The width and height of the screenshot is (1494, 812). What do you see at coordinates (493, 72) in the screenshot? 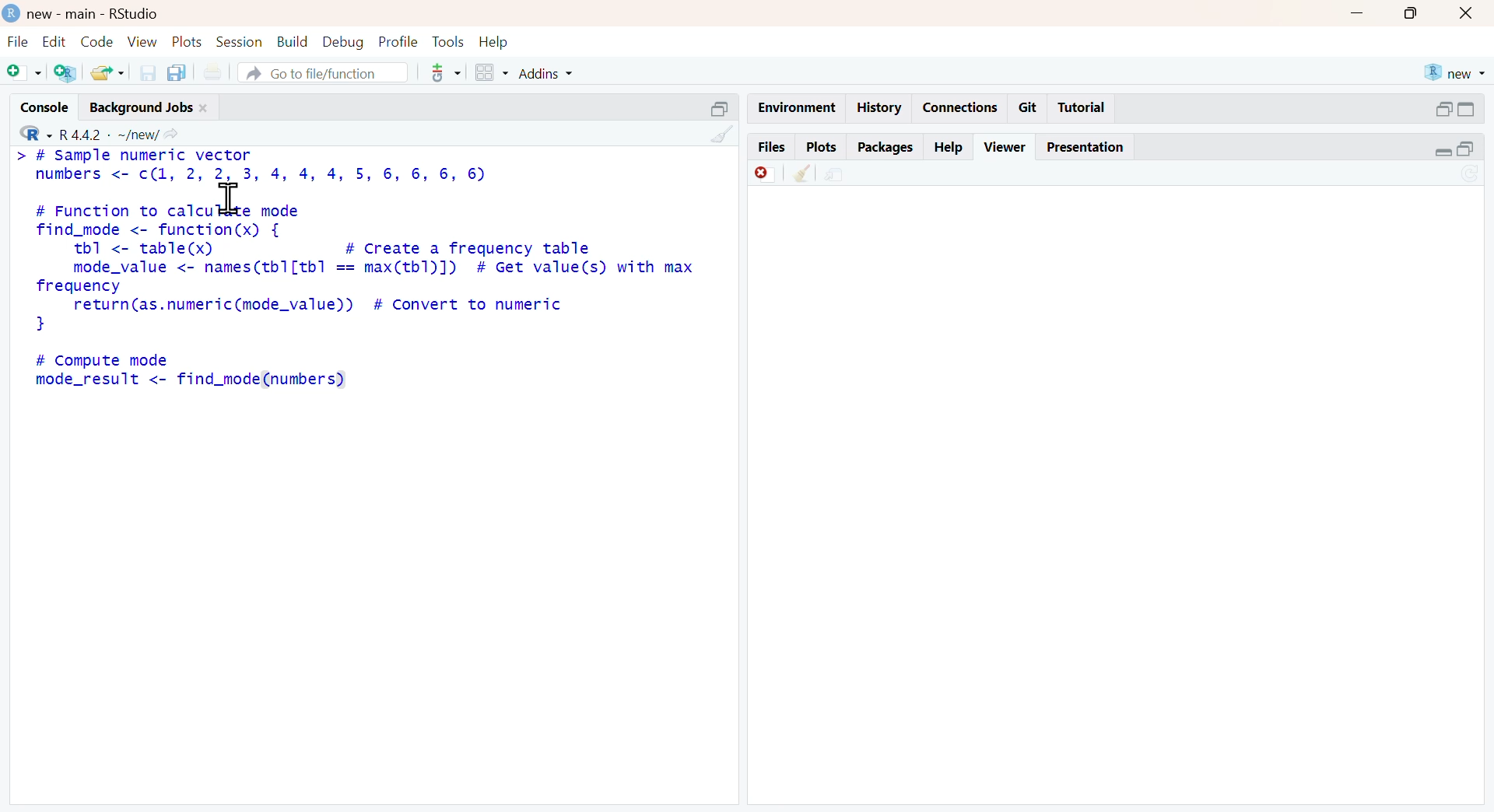
I see `grid` at bounding box center [493, 72].